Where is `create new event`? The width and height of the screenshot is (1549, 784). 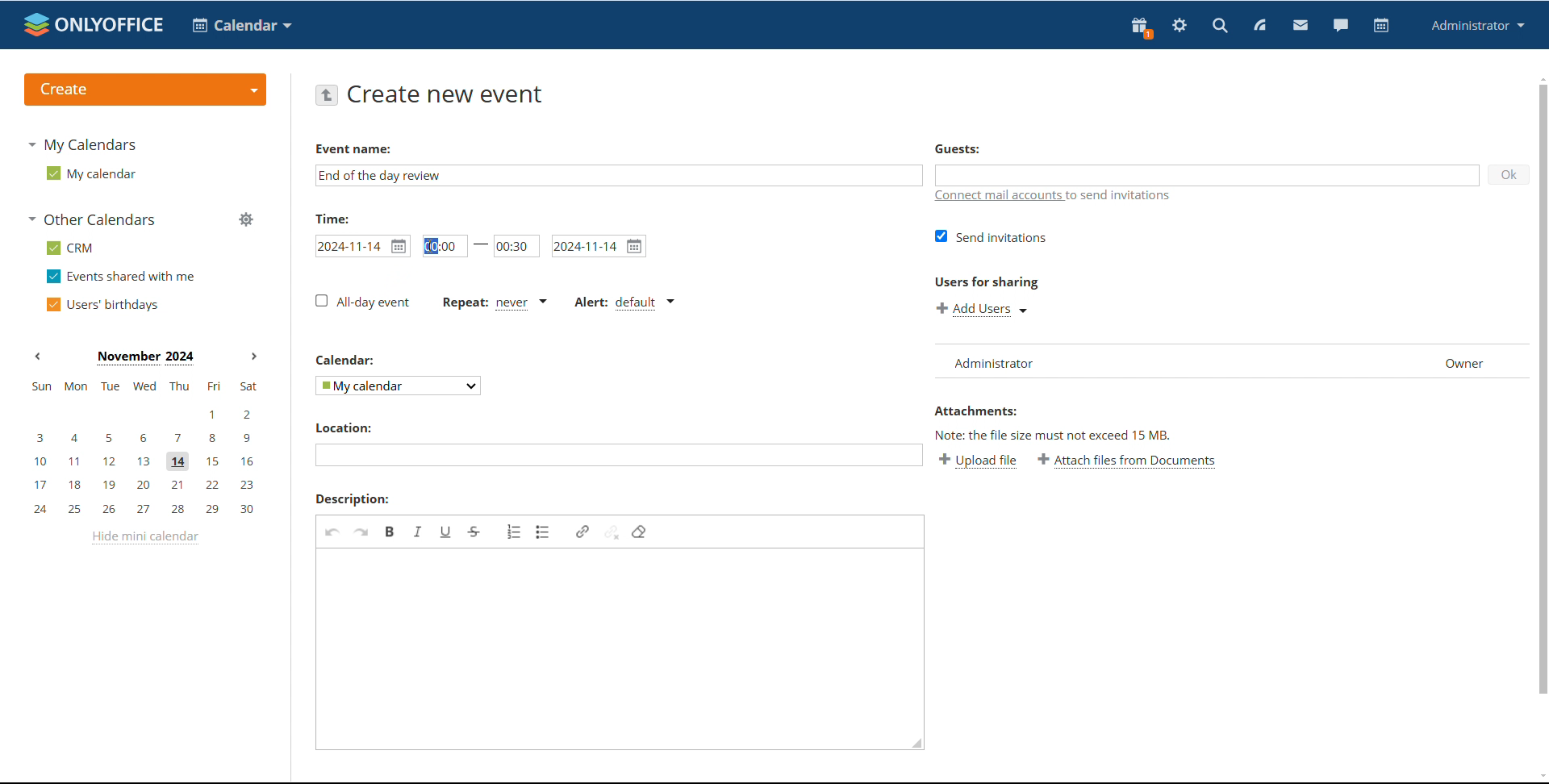 create new event is located at coordinates (449, 94).